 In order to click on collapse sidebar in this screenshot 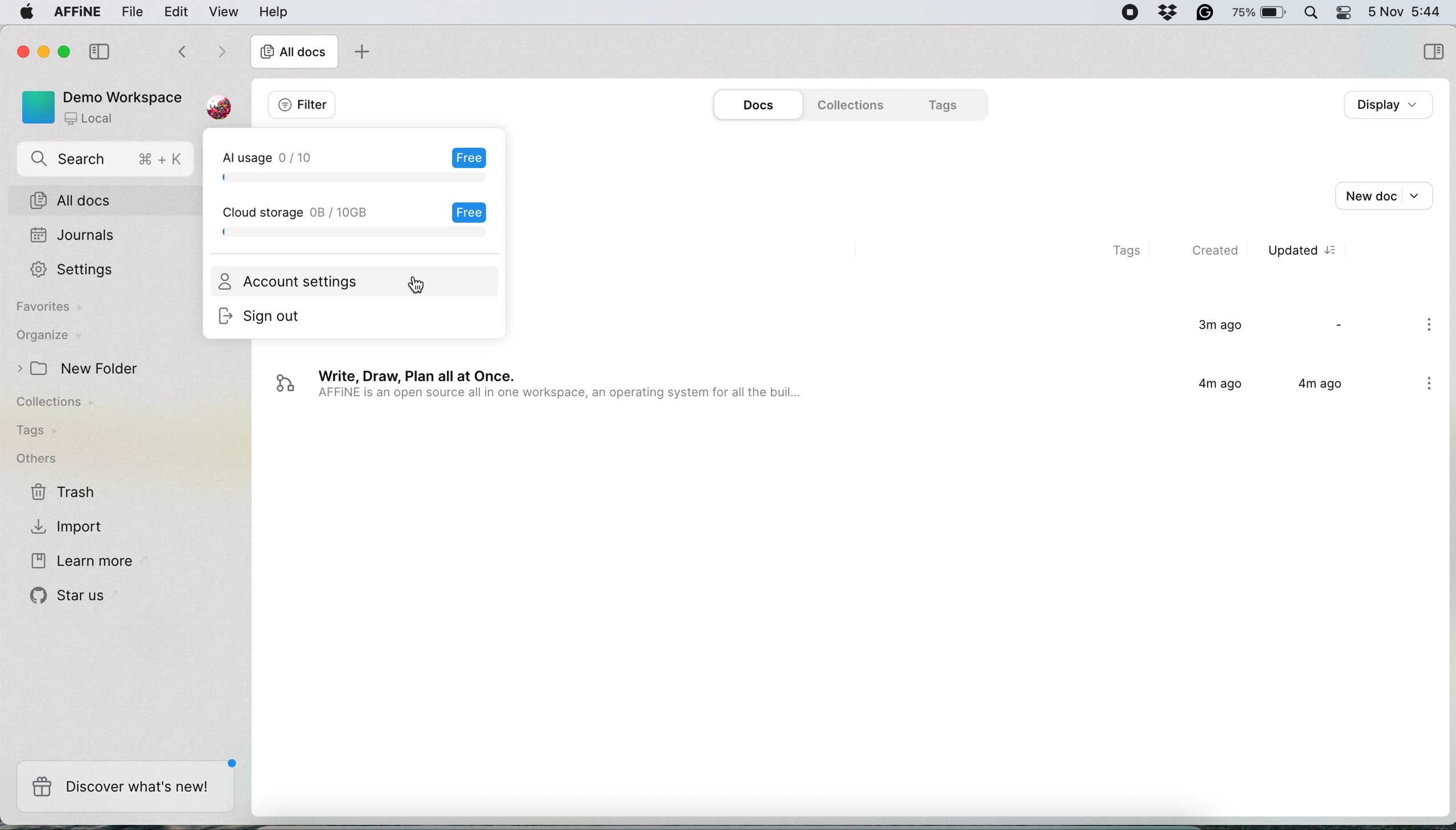, I will do `click(102, 50)`.